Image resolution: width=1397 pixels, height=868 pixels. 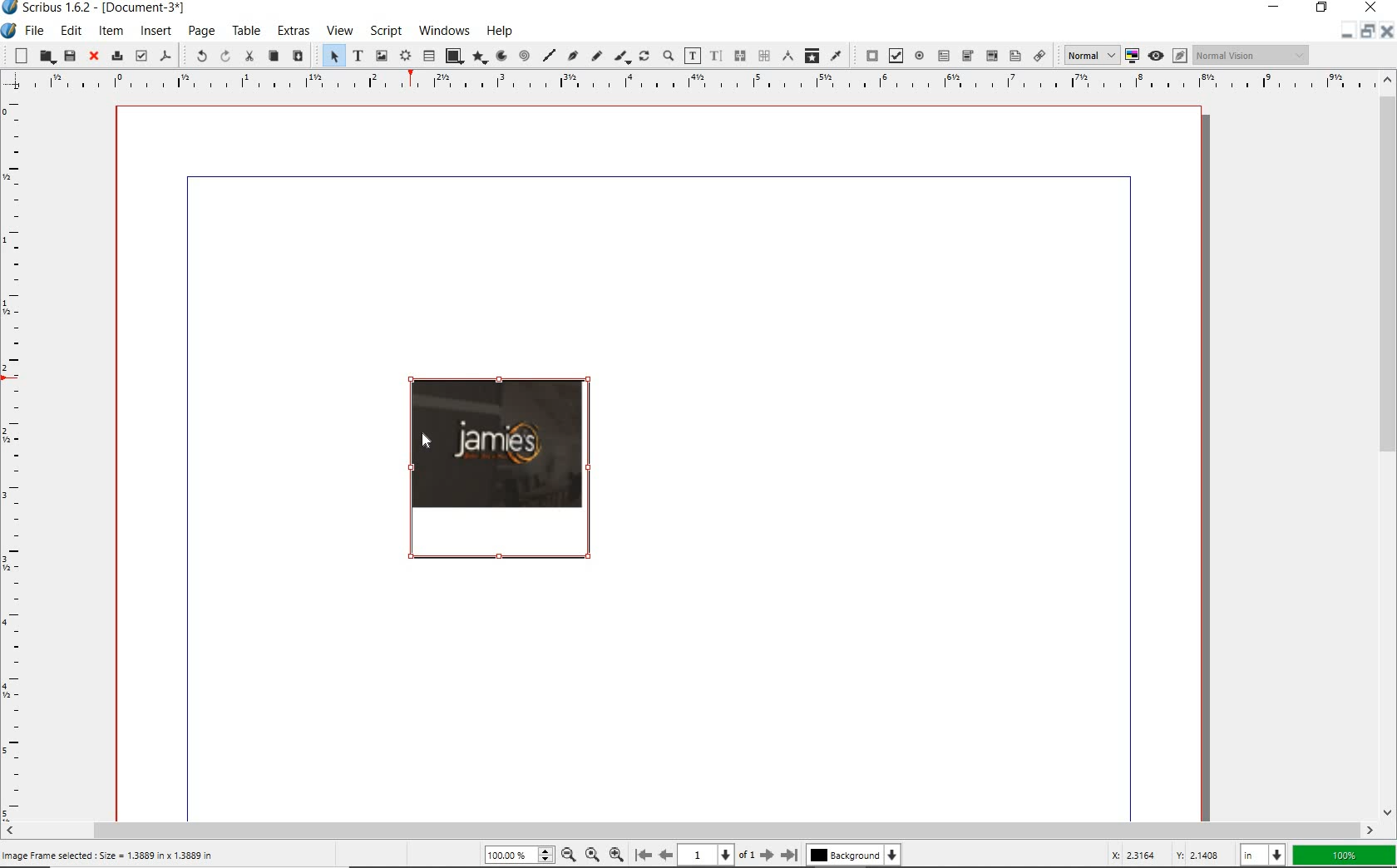 I want to click on VIEW, so click(x=341, y=29).